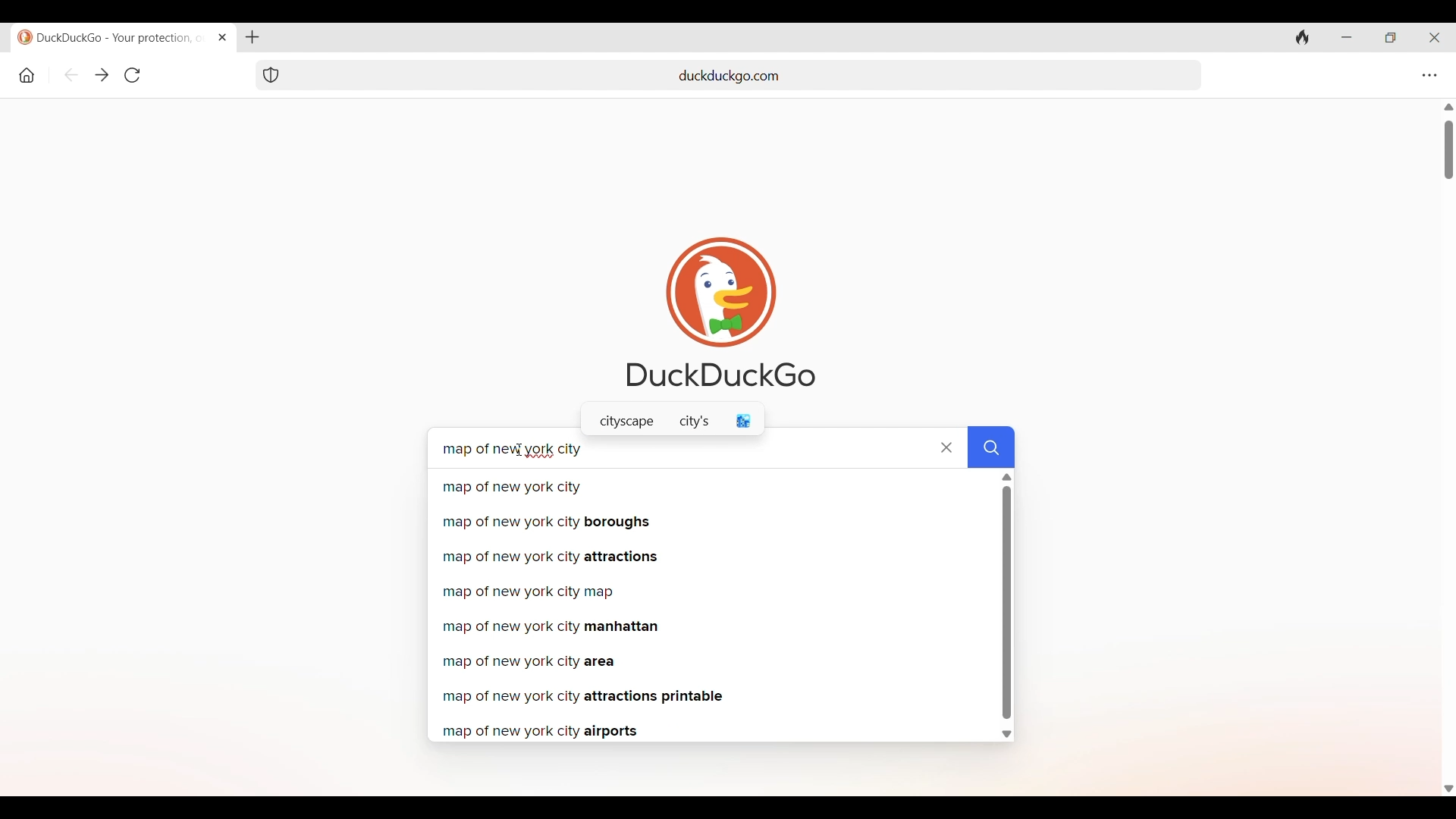 The width and height of the screenshot is (1456, 819). What do you see at coordinates (1007, 601) in the screenshot?
I see `Vertical slide bar` at bounding box center [1007, 601].